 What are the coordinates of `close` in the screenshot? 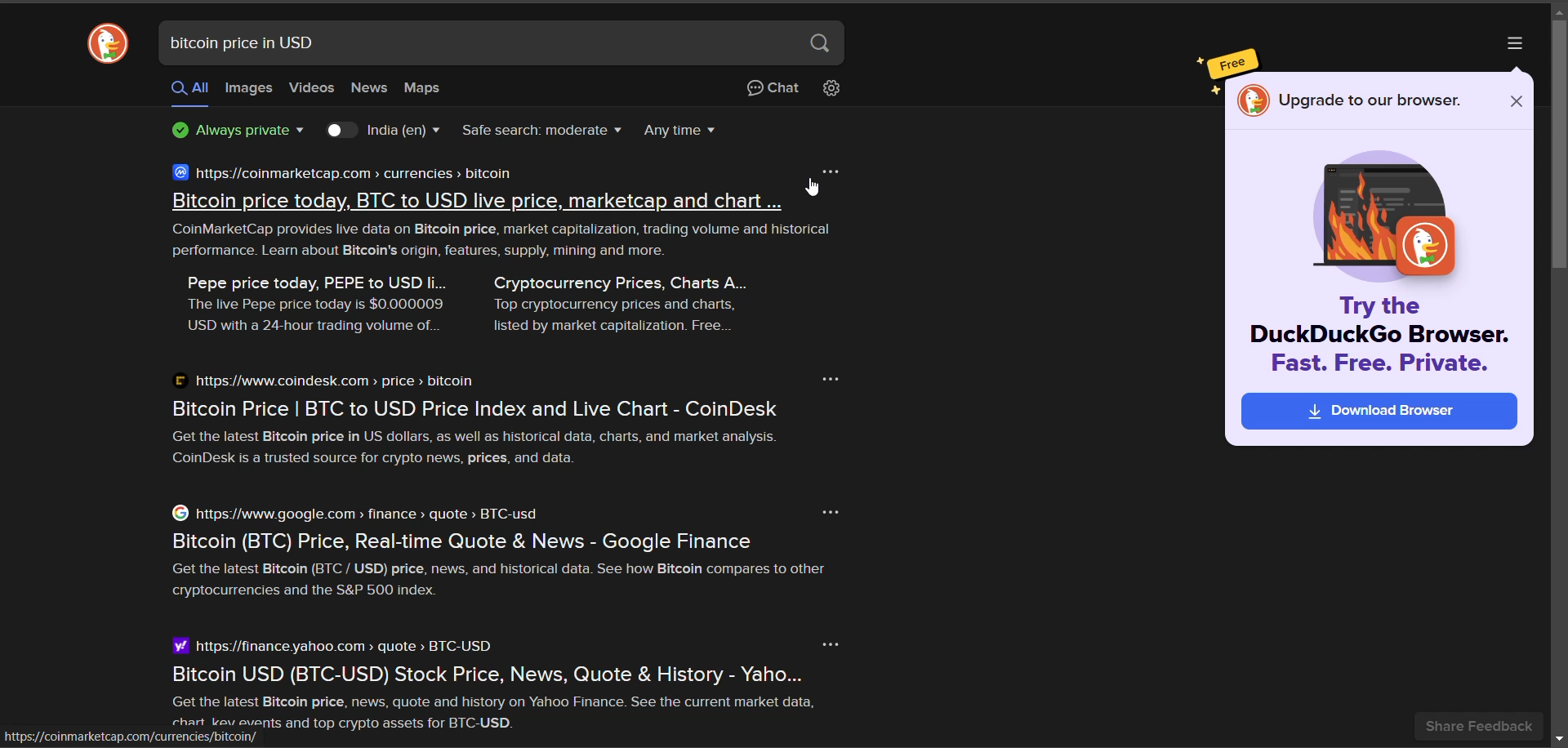 It's located at (1504, 100).